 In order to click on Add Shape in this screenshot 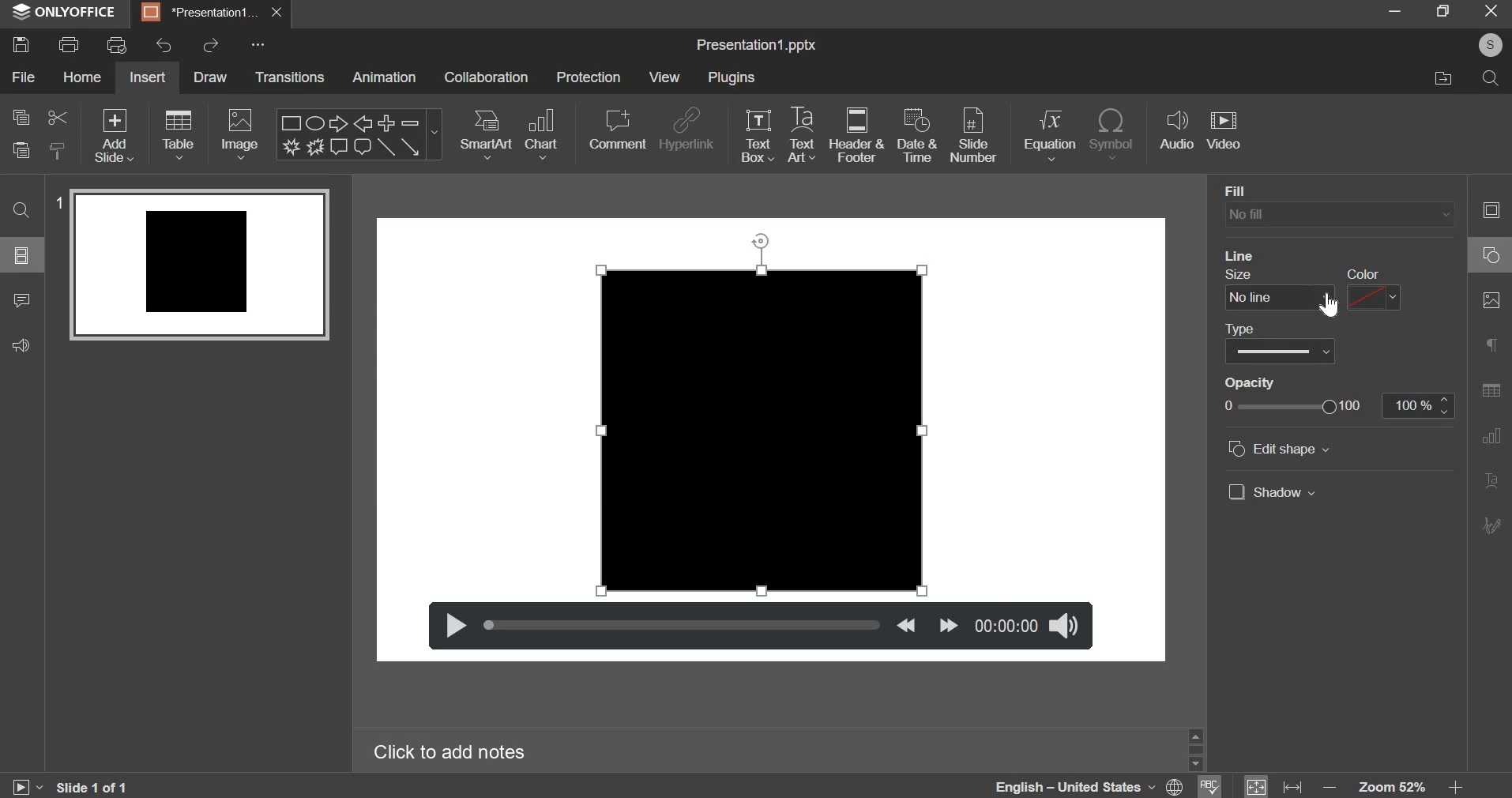, I will do `click(387, 123)`.